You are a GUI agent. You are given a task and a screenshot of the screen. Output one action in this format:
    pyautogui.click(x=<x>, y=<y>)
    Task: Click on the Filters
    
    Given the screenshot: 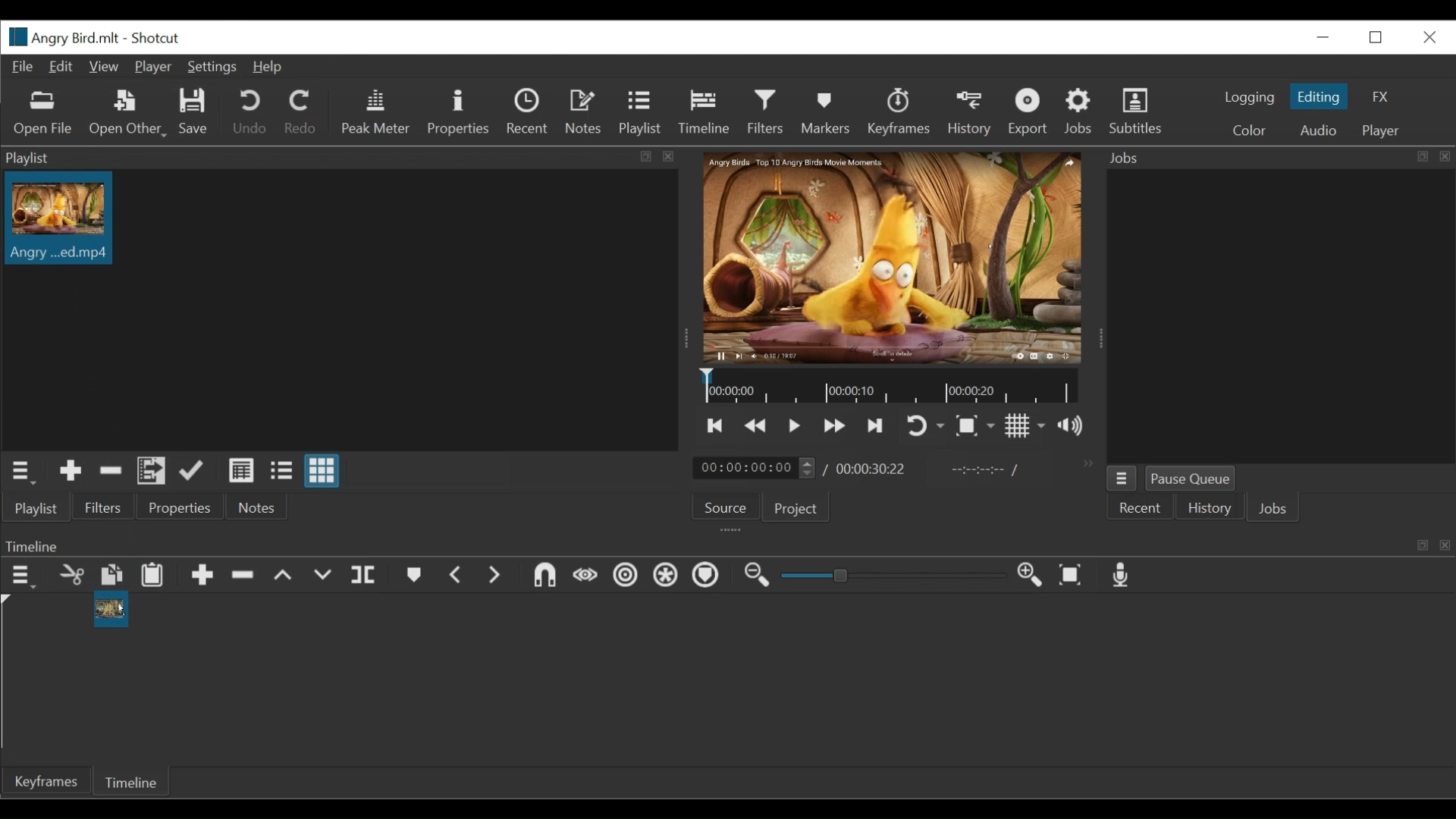 What is the action you would take?
    pyautogui.click(x=102, y=507)
    